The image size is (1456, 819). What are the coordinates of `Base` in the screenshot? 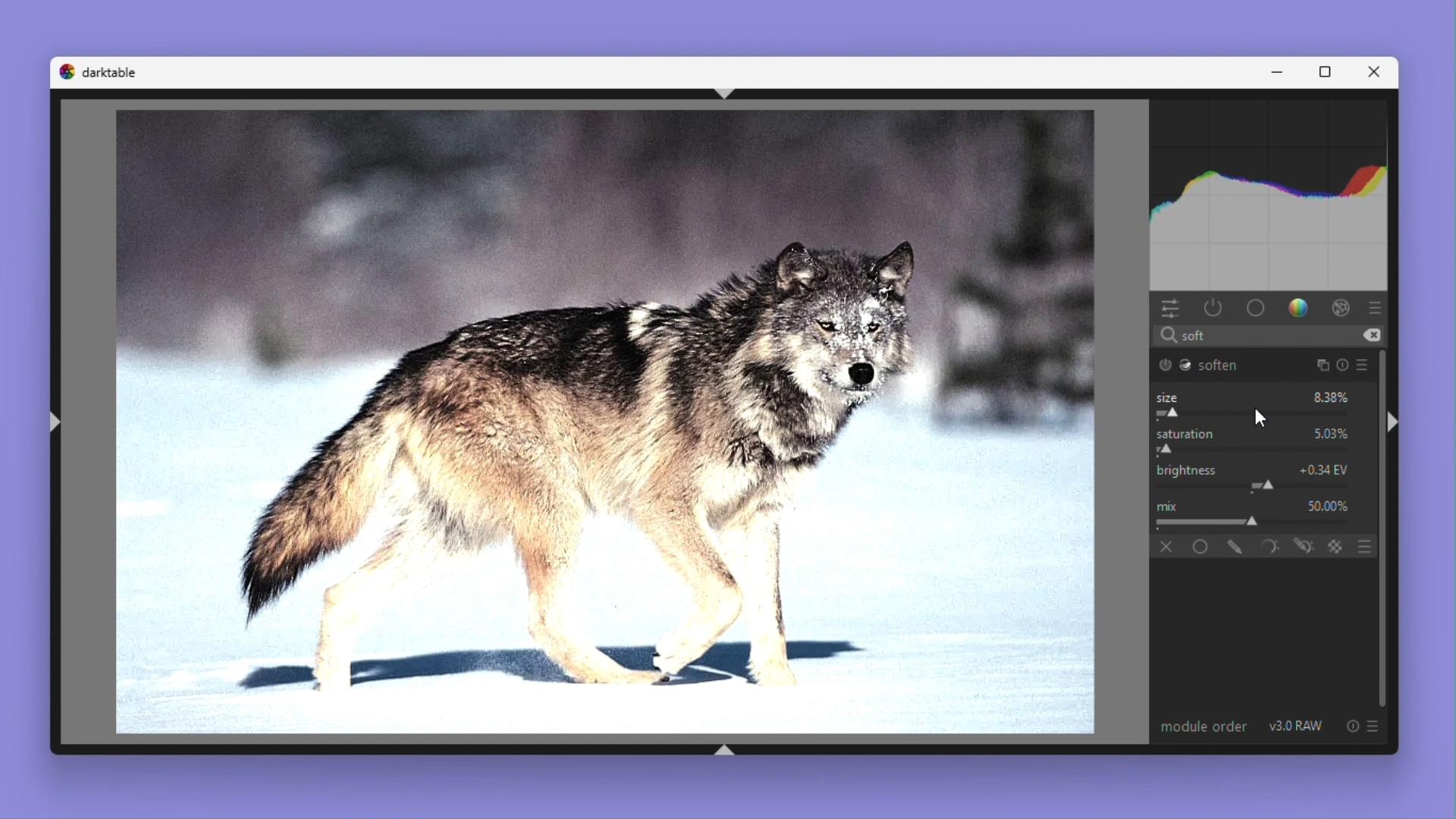 It's located at (1257, 309).